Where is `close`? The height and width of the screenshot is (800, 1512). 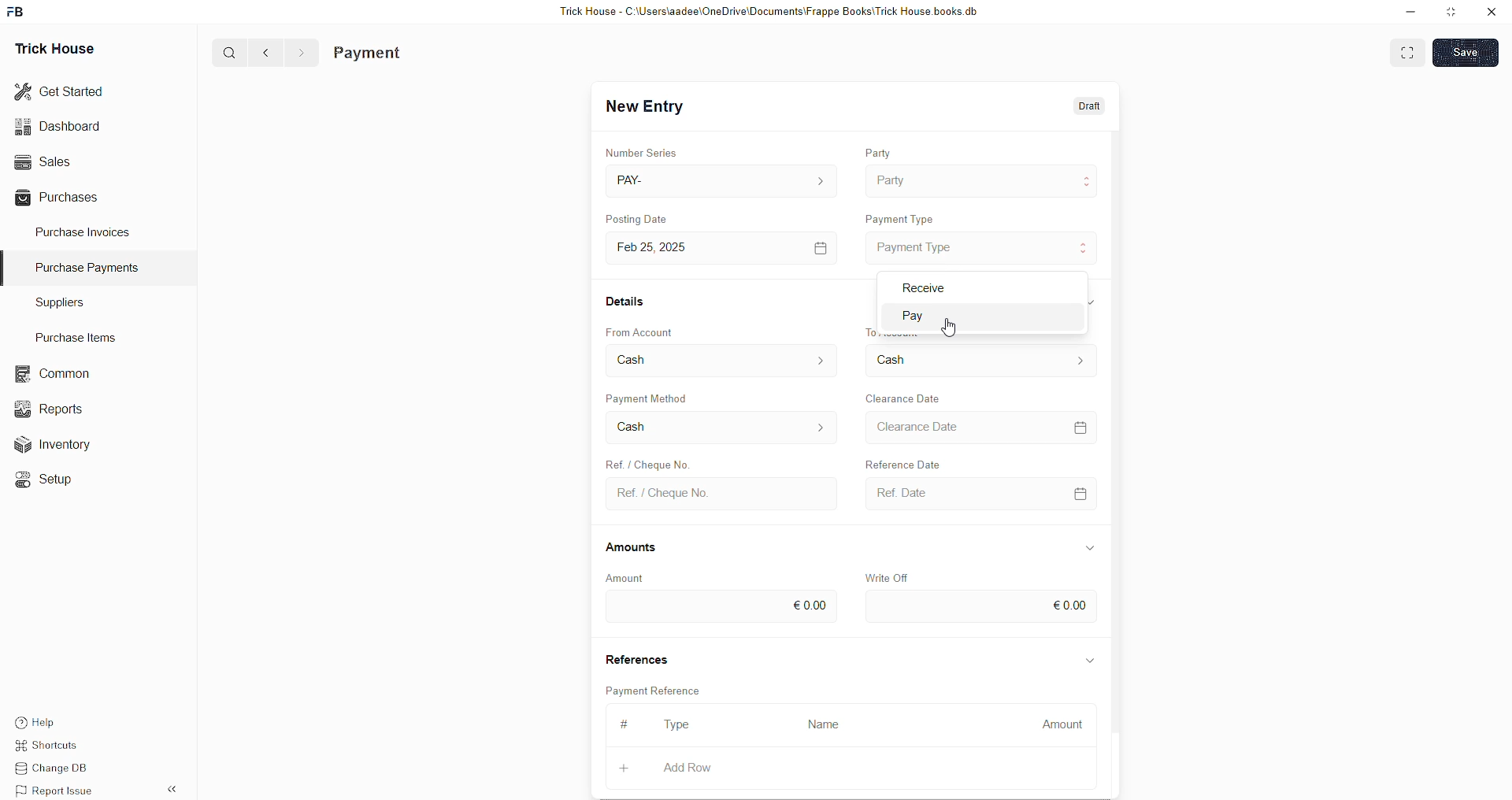 close is located at coordinates (1492, 12).